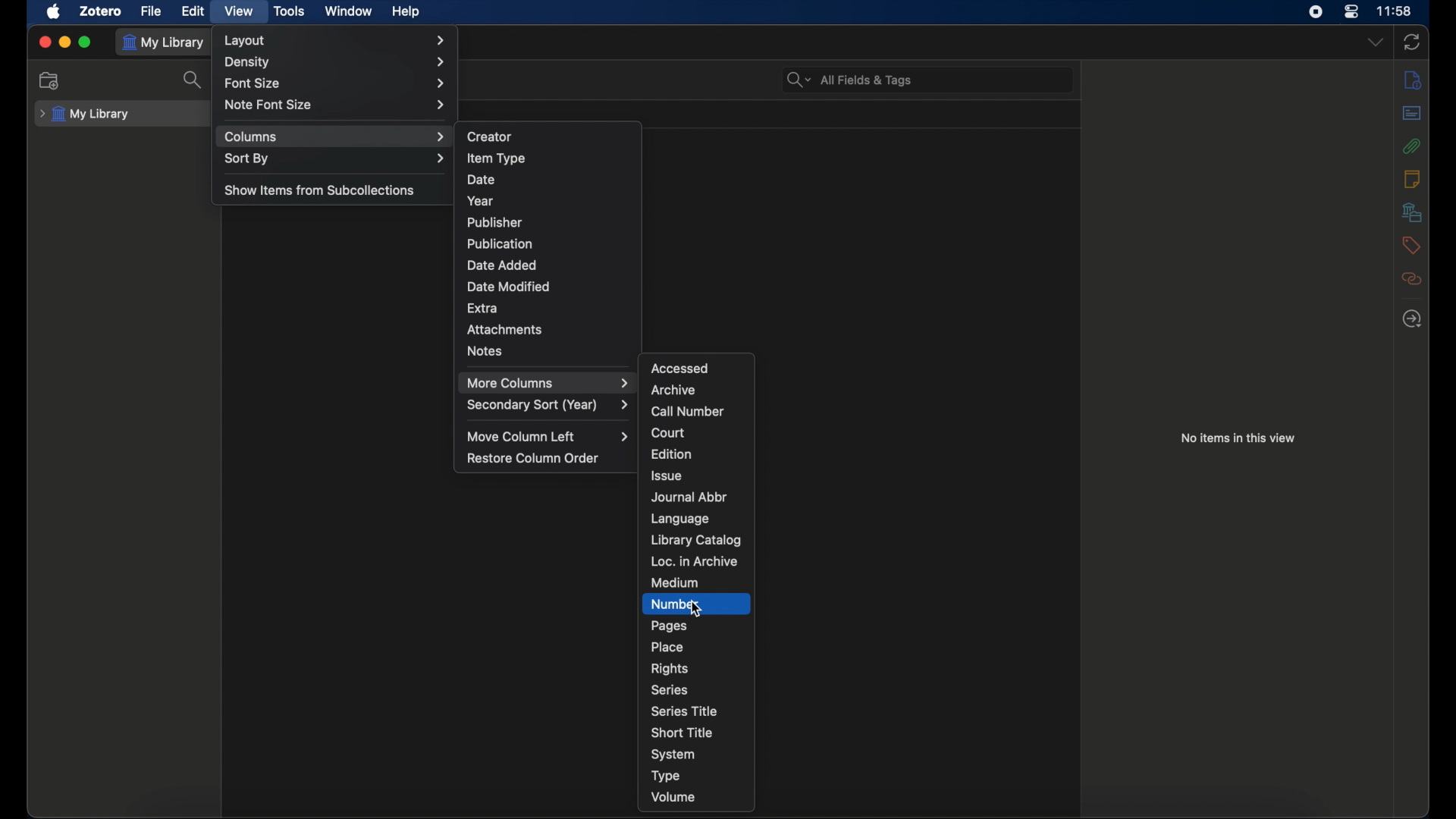 The image size is (1456, 819). I want to click on new collection, so click(50, 81).